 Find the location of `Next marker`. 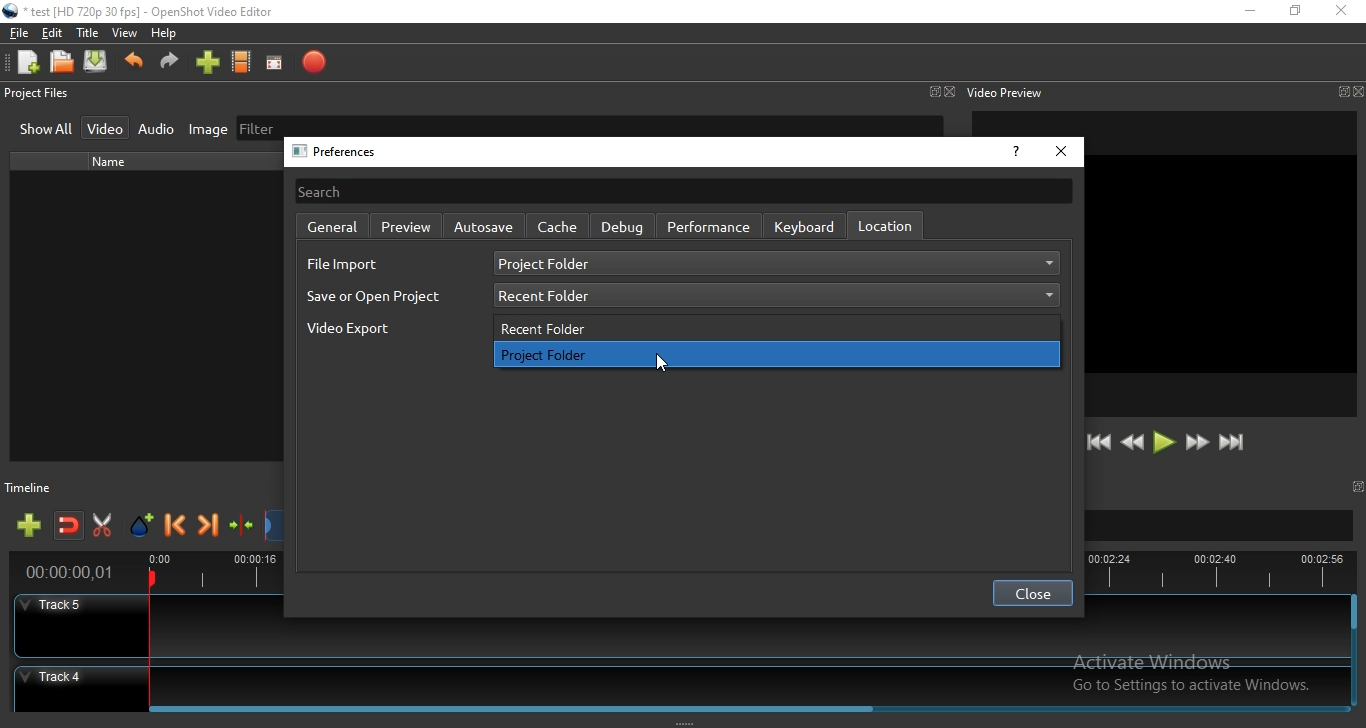

Next marker is located at coordinates (209, 528).